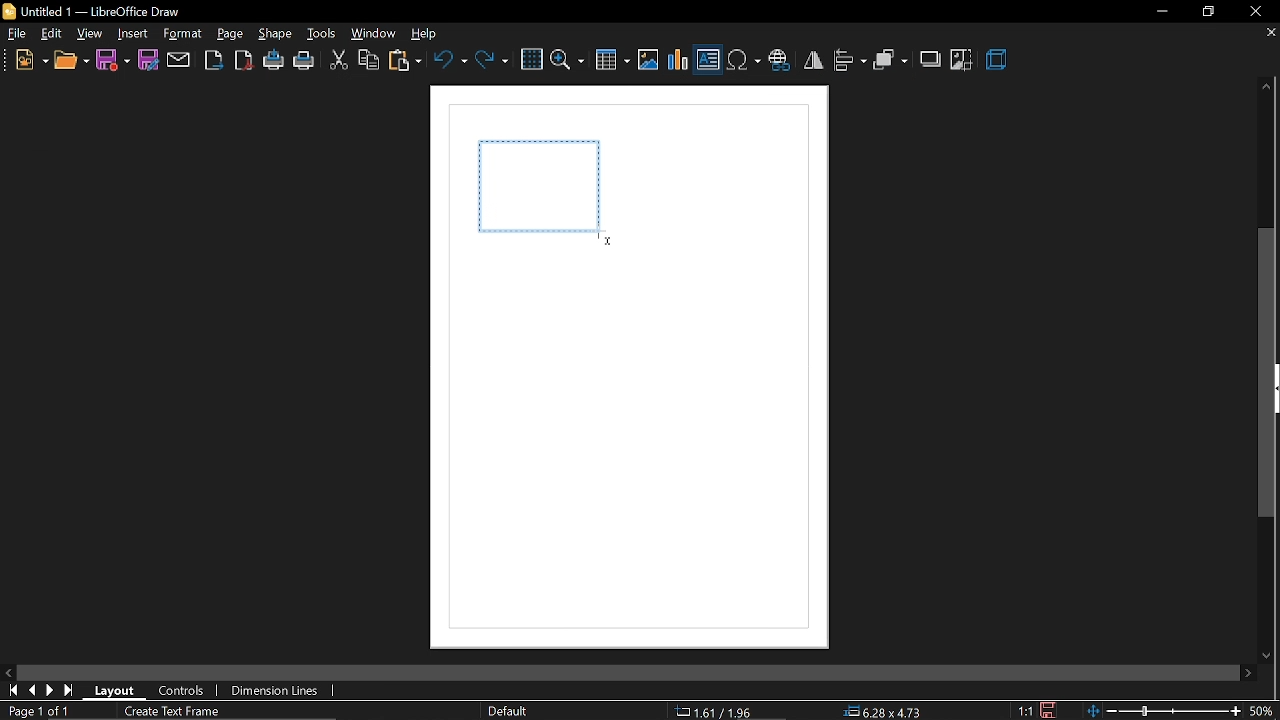  Describe the element at coordinates (305, 63) in the screenshot. I see `print` at that location.